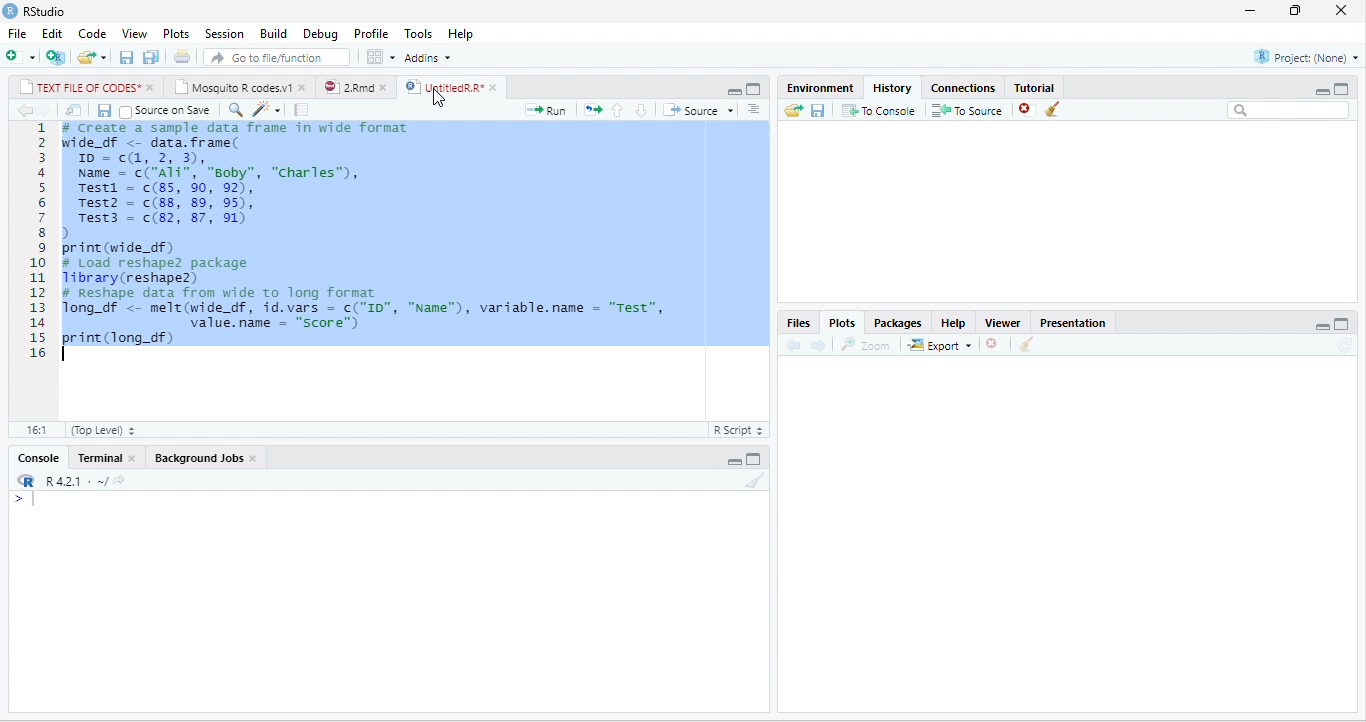  I want to click on search, so click(235, 110).